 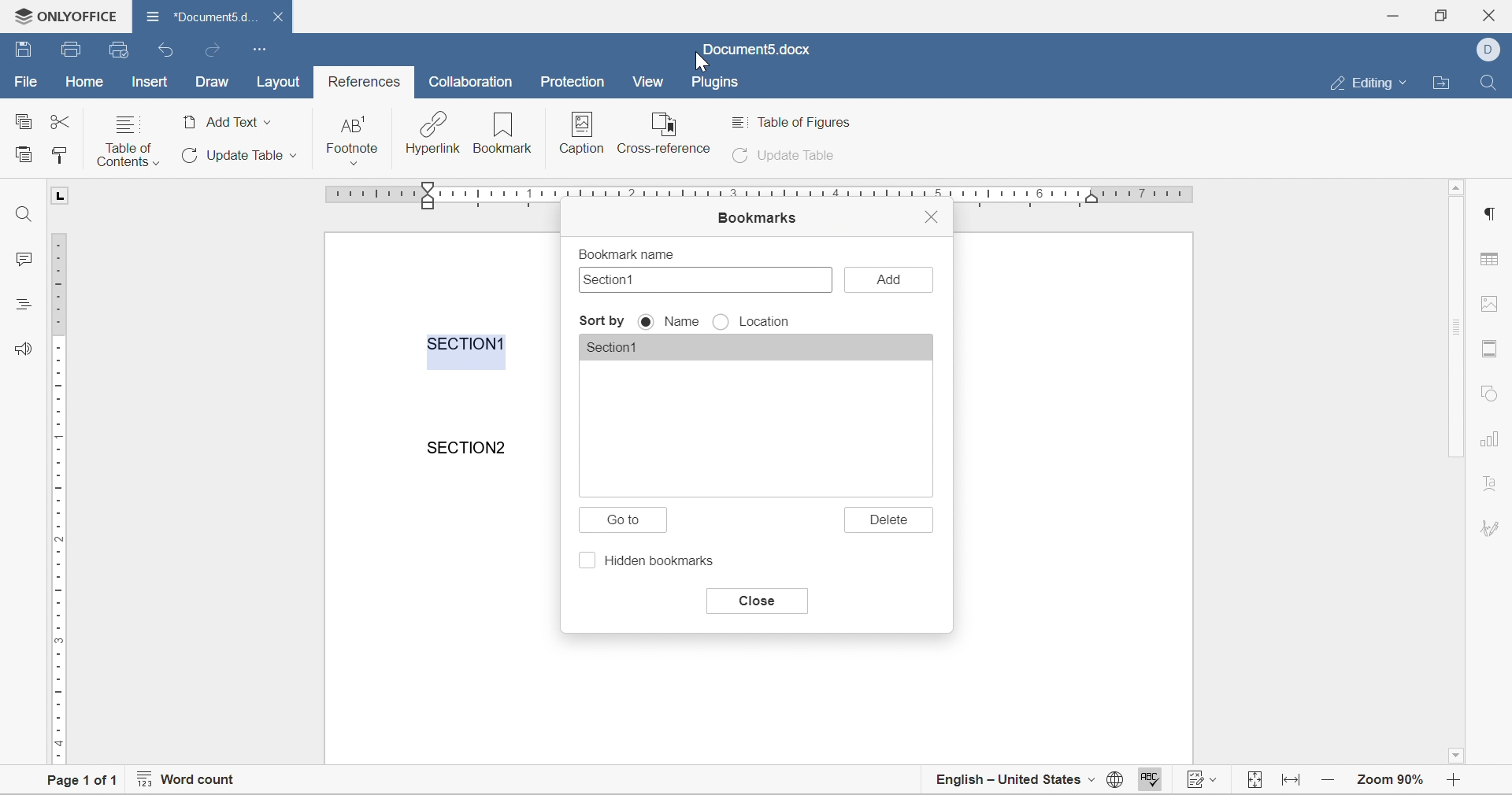 What do you see at coordinates (1114, 783) in the screenshot?
I see `set document language` at bounding box center [1114, 783].